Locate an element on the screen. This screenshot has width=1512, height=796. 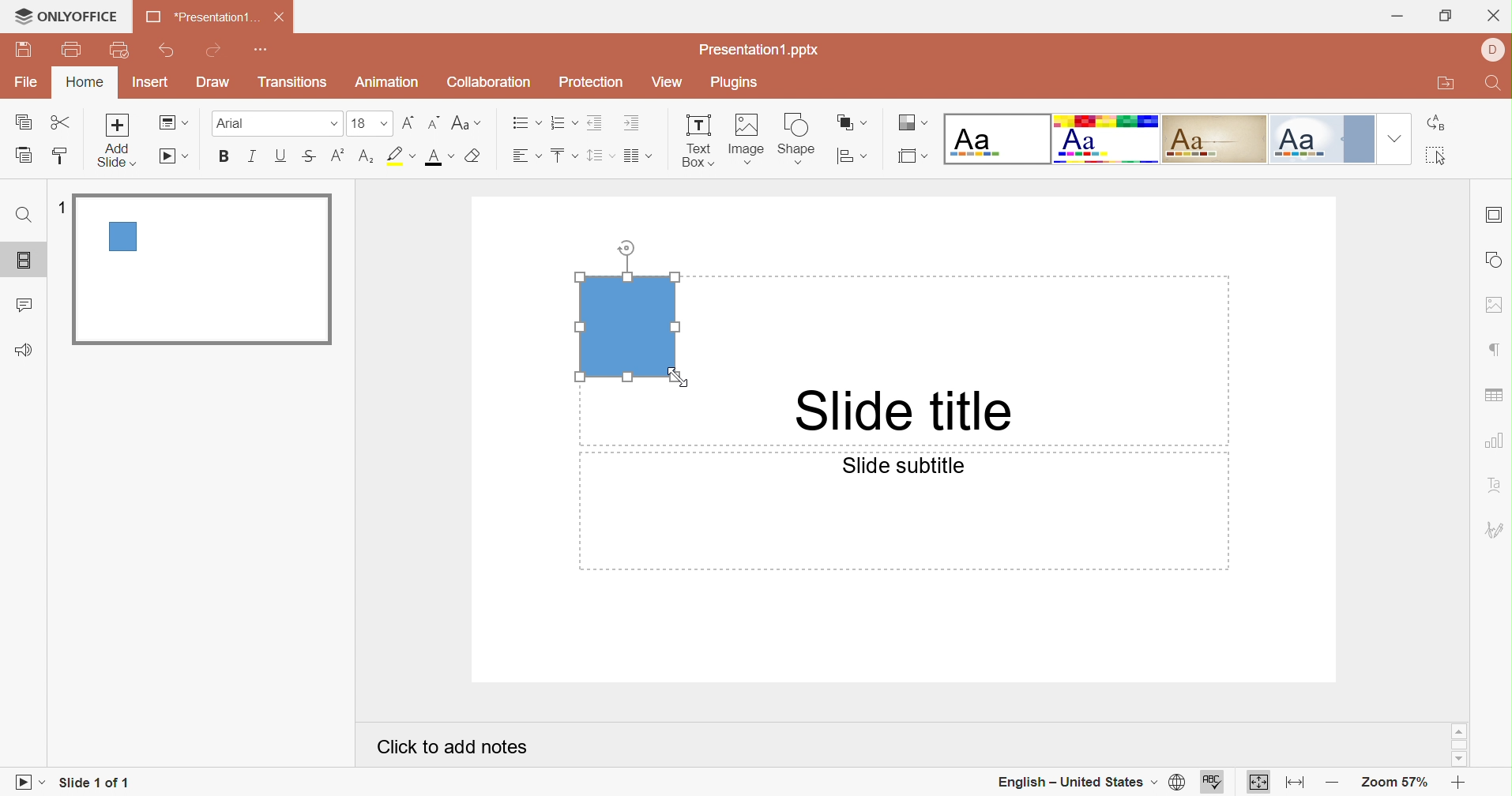
Subscript is located at coordinates (364, 161).